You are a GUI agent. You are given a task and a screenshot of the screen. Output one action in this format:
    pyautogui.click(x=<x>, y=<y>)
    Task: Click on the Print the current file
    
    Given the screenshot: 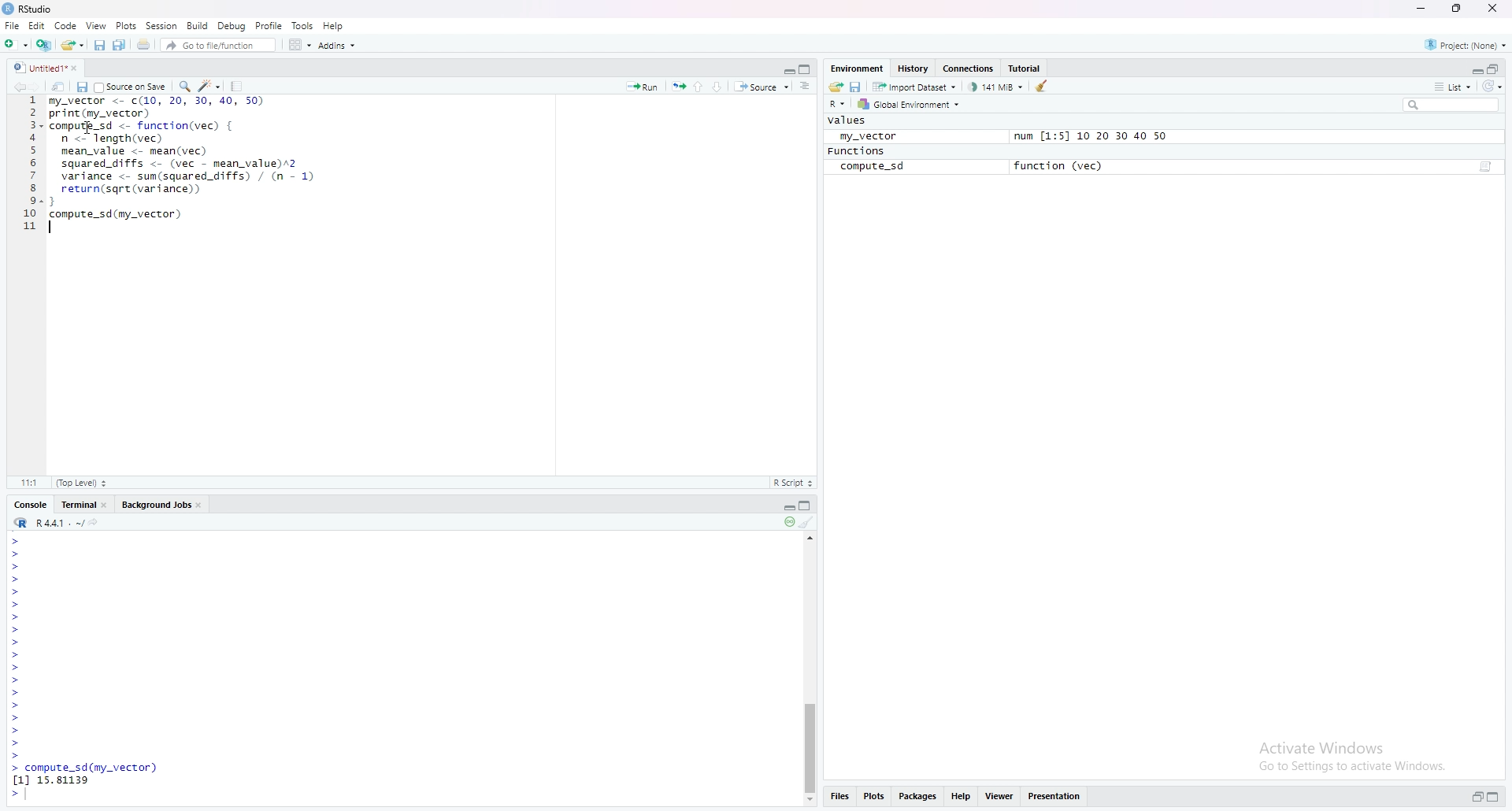 What is the action you would take?
    pyautogui.click(x=142, y=45)
    